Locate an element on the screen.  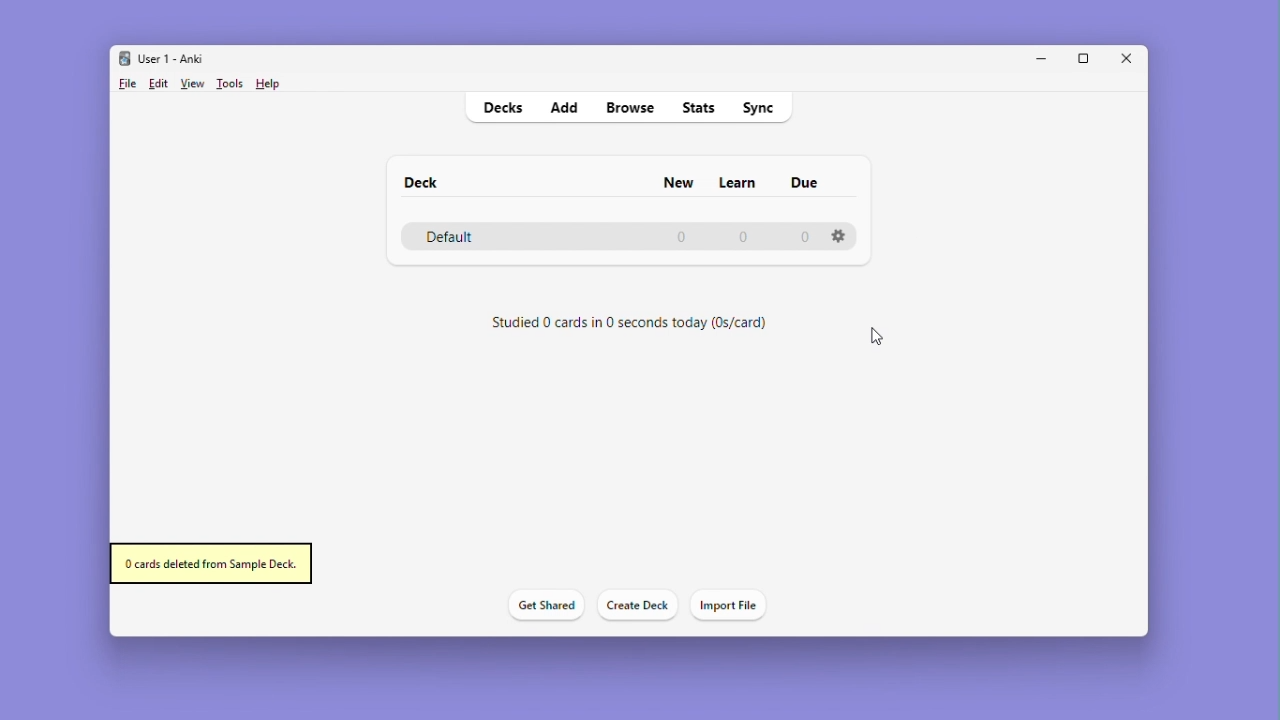
Create deck is located at coordinates (633, 606).